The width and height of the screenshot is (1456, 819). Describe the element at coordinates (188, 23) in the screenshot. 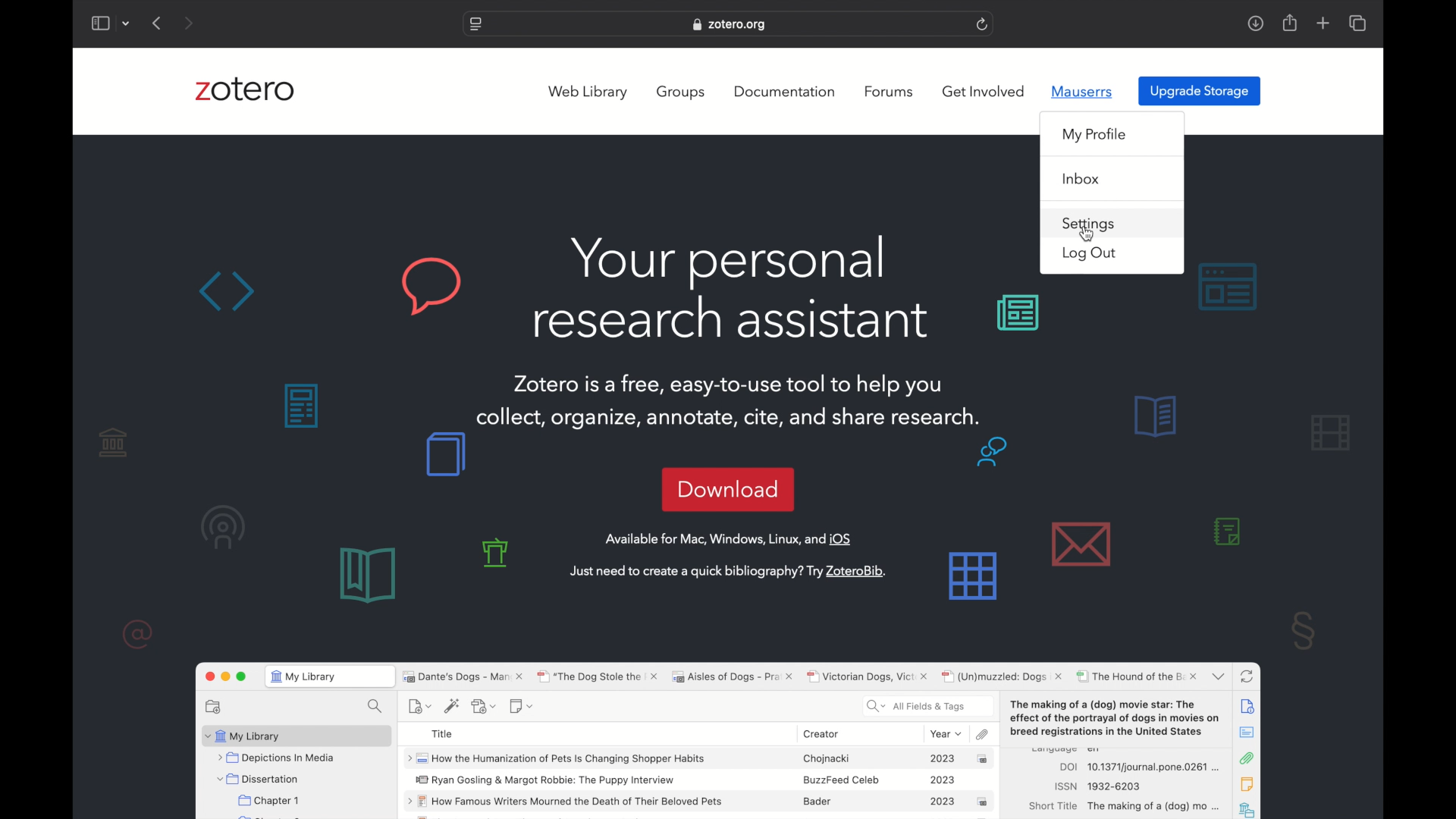

I see `next` at that location.